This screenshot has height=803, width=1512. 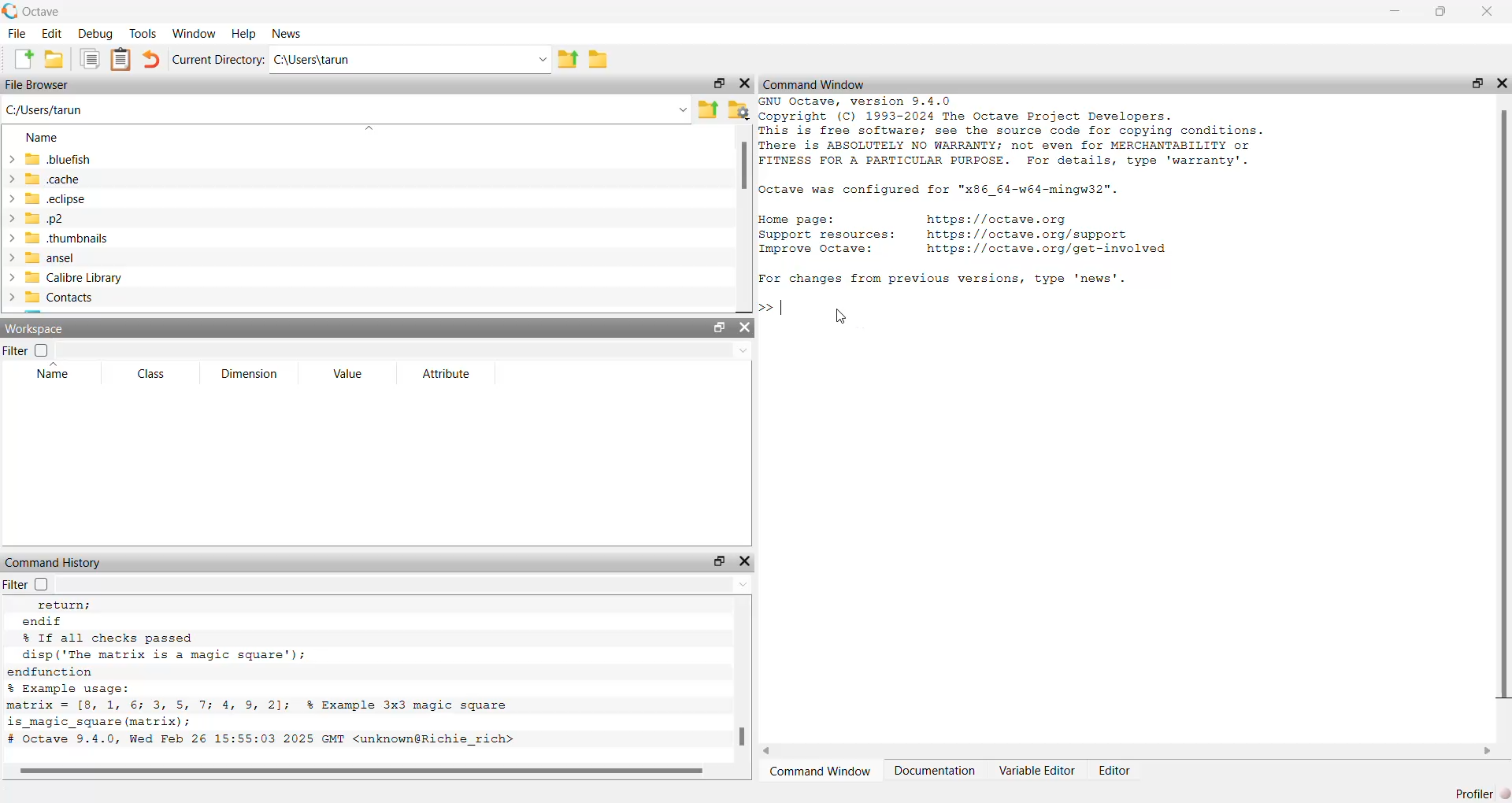 What do you see at coordinates (63, 277) in the screenshot?
I see `Calibre Library` at bounding box center [63, 277].